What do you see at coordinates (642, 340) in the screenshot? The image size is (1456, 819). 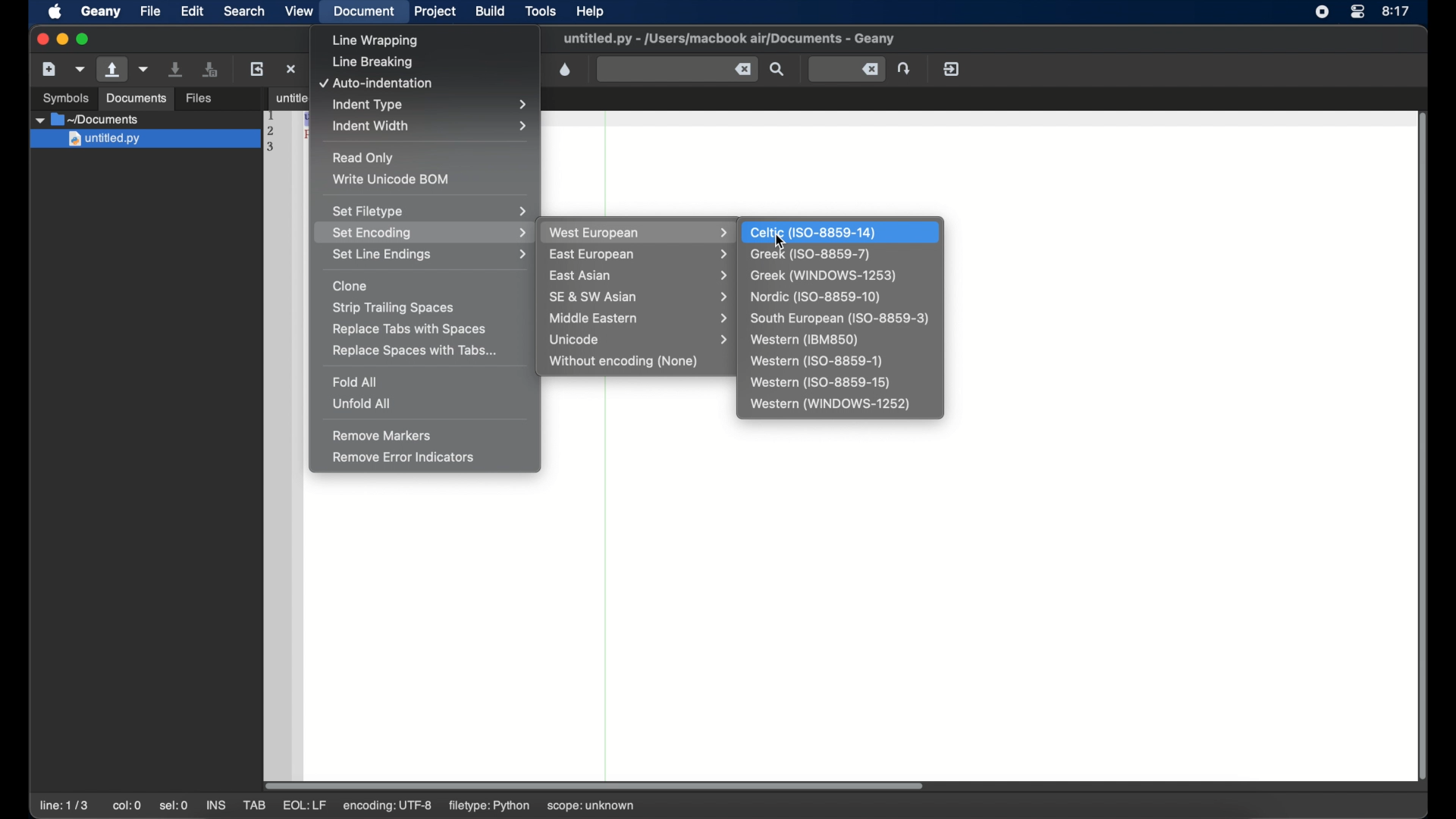 I see `unicode menu` at bounding box center [642, 340].